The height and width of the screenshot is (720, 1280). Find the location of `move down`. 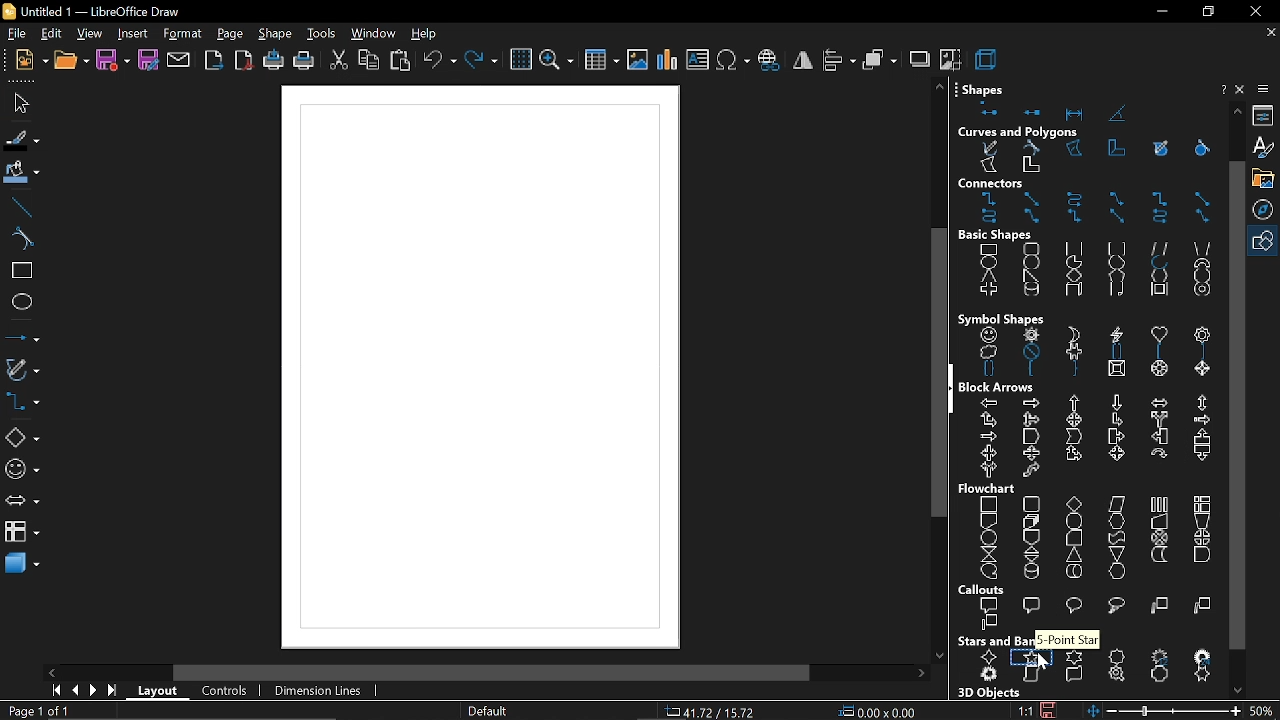

move down is located at coordinates (1238, 689).